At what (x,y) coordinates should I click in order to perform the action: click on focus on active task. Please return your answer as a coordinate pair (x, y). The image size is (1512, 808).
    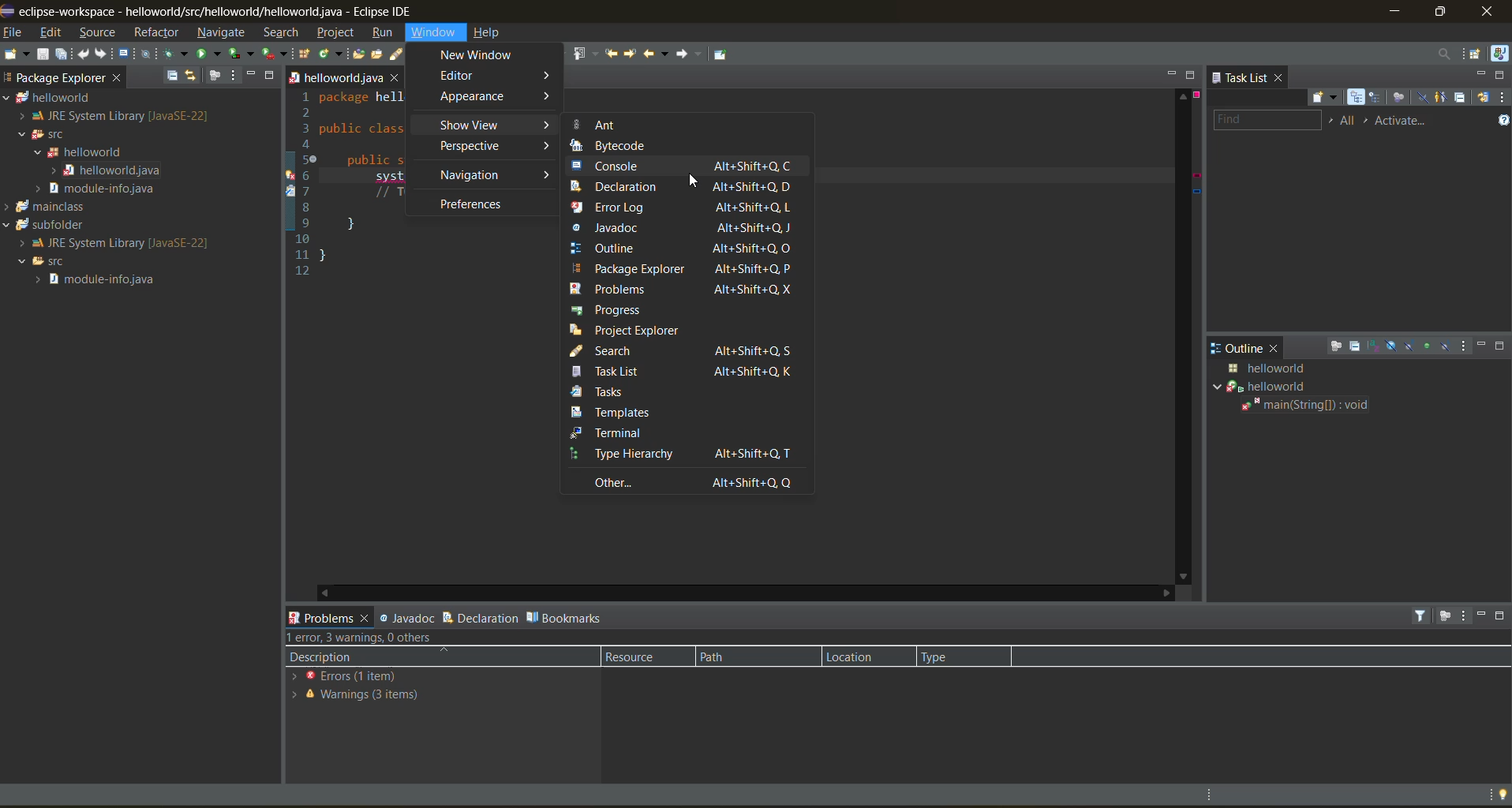
    Looking at the image, I should click on (1339, 346).